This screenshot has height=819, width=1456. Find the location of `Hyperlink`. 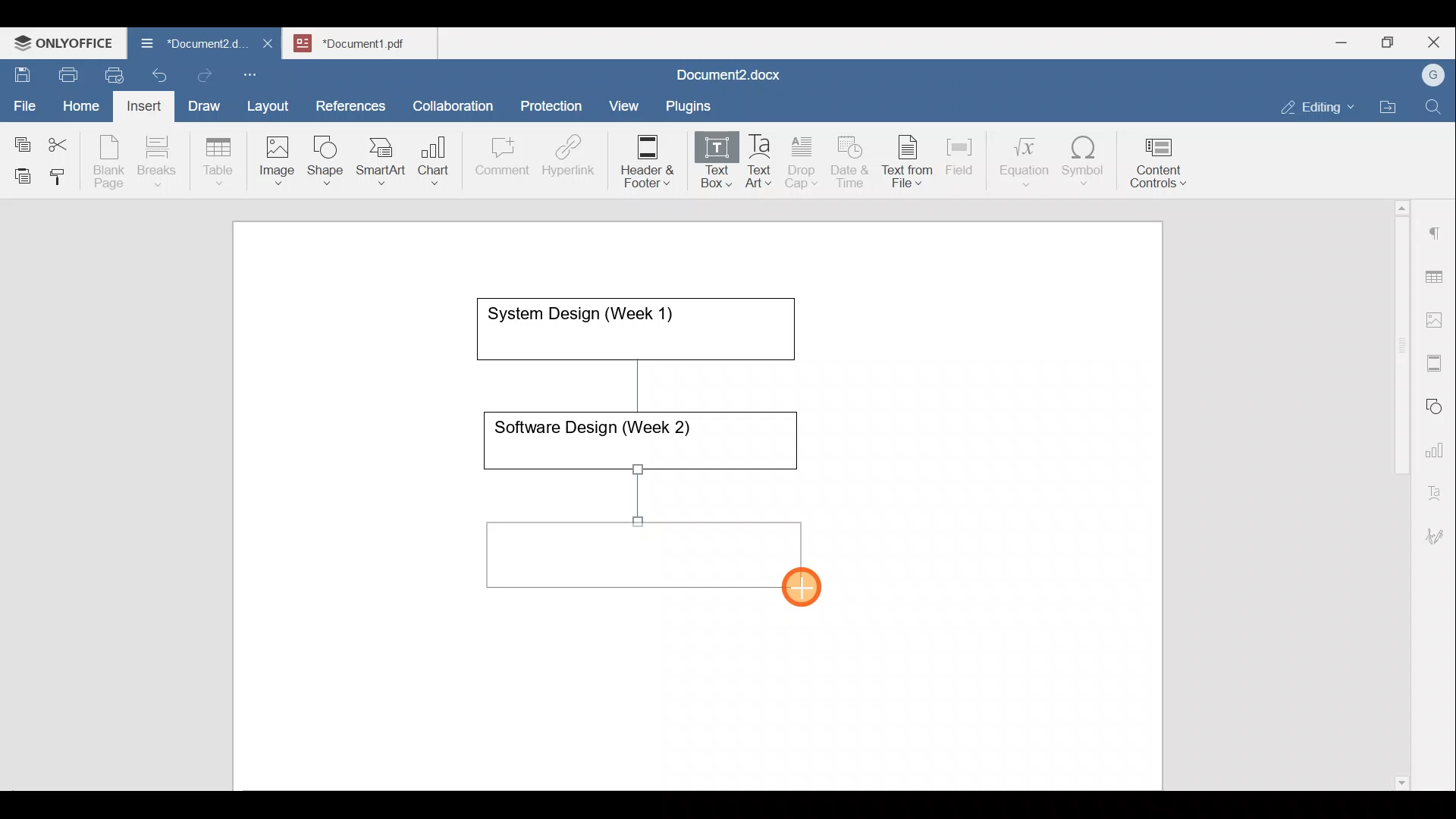

Hyperlink is located at coordinates (573, 160).